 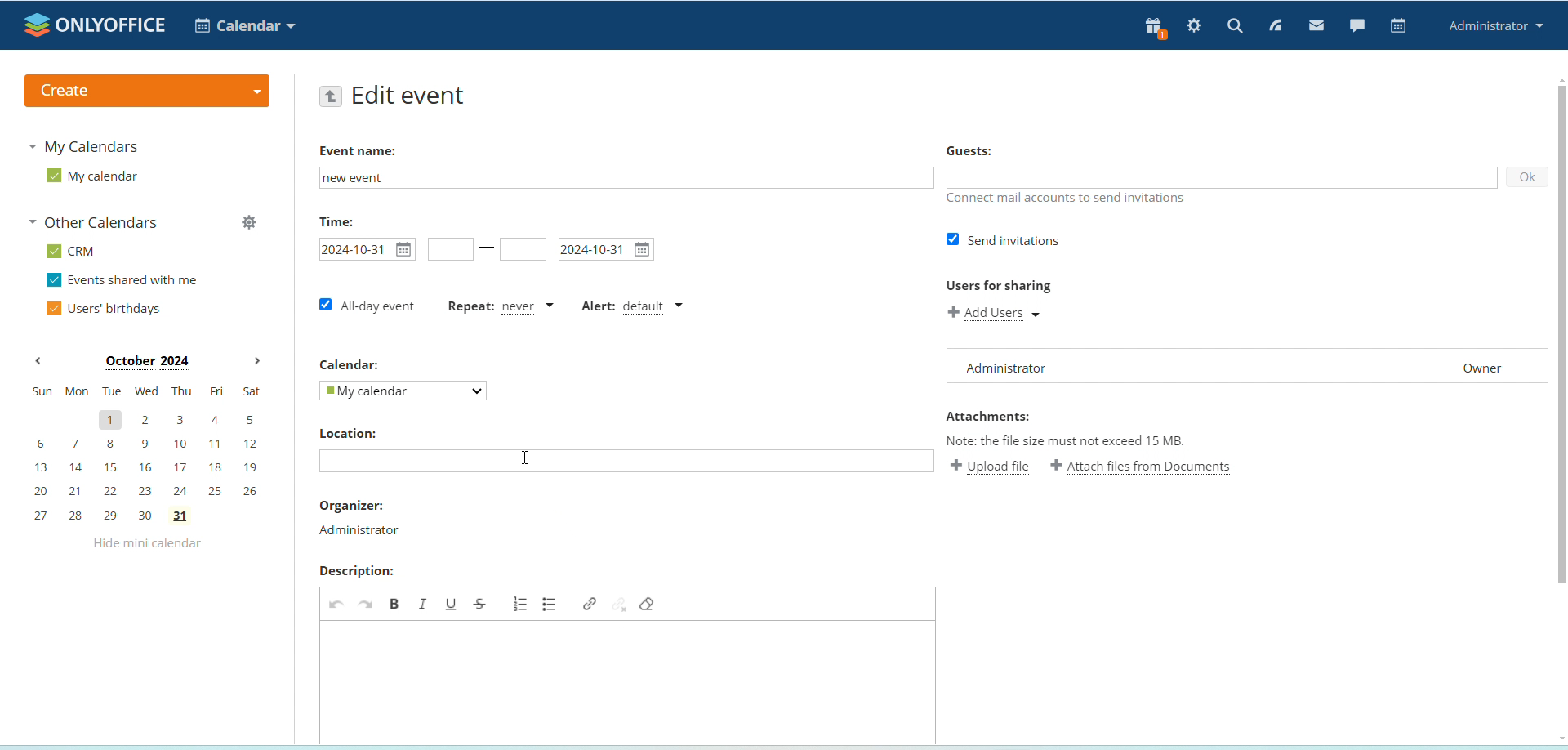 I want to click on event end time, so click(x=523, y=249).